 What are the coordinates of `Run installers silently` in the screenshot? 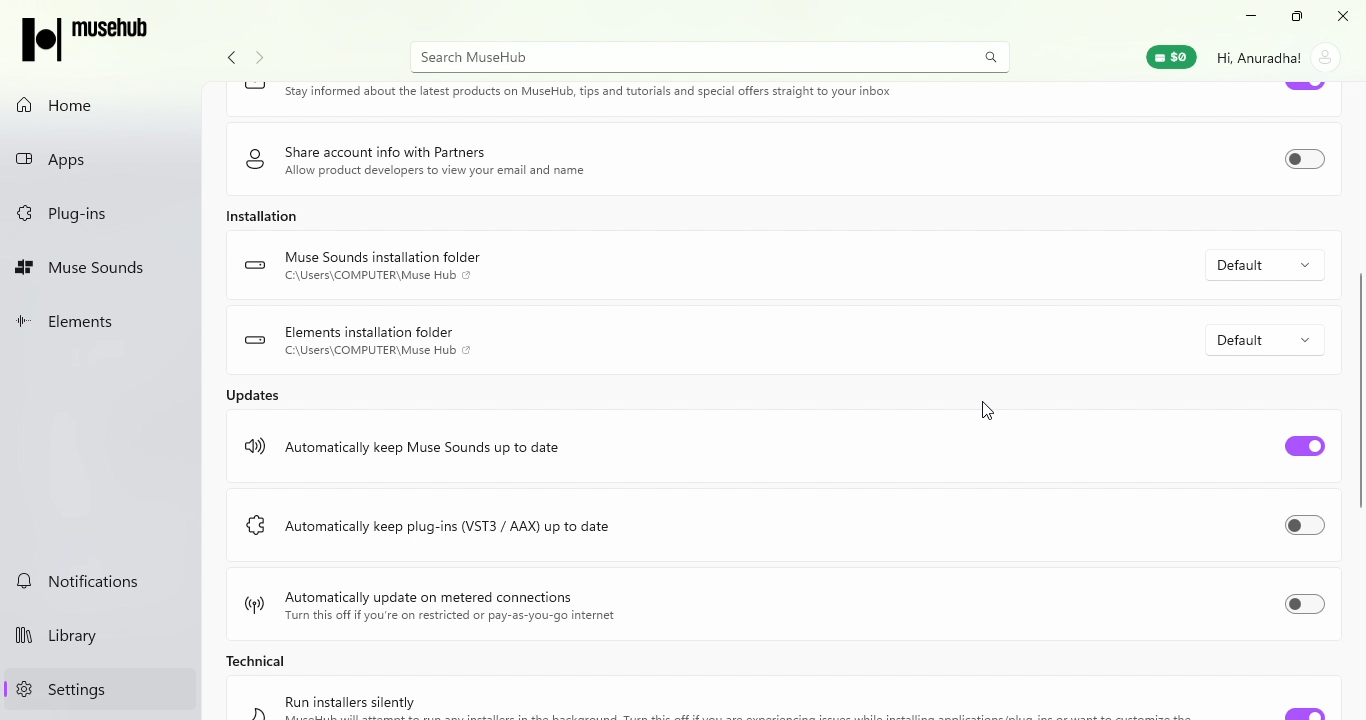 It's located at (352, 700).